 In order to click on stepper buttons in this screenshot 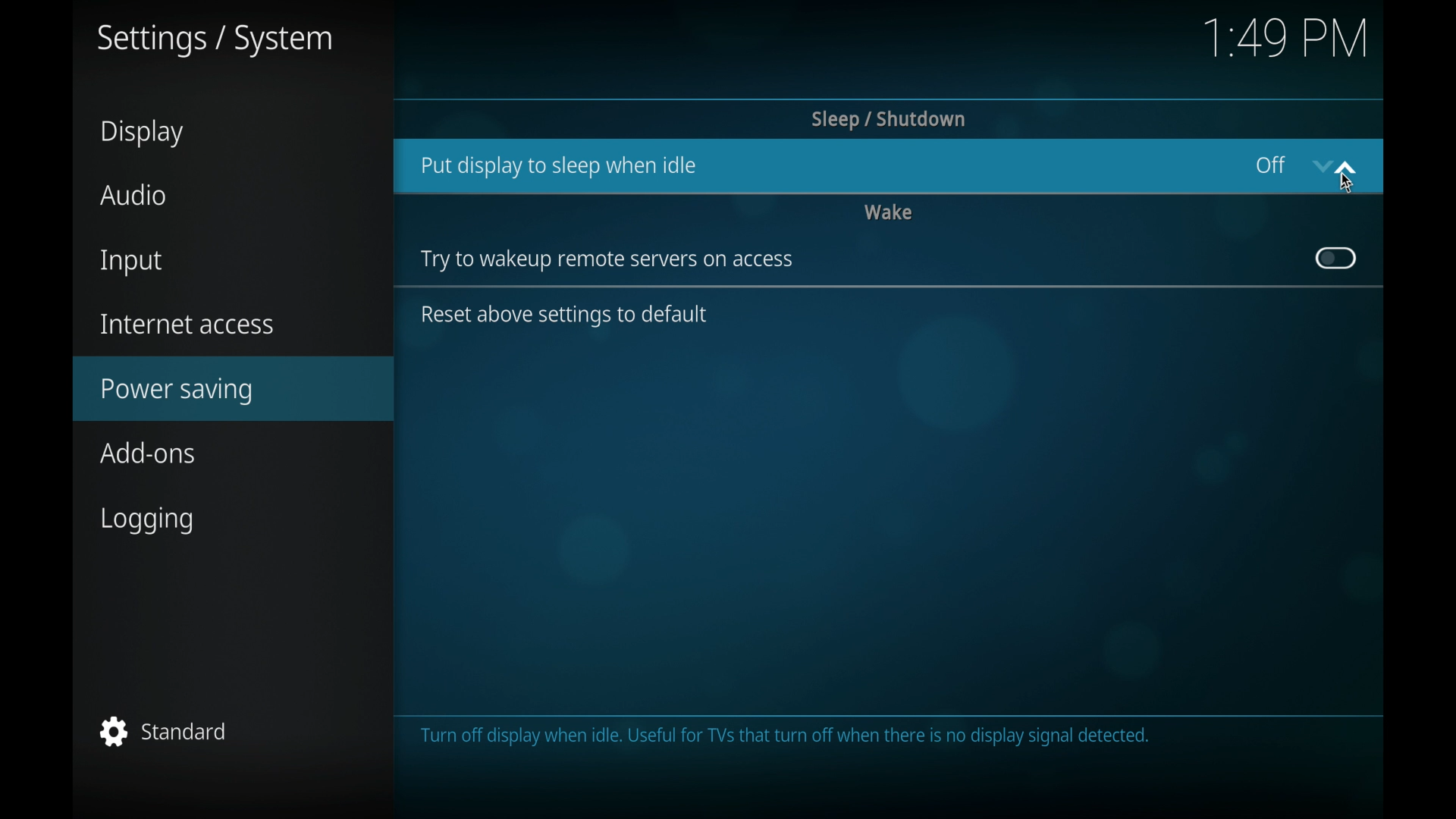, I will do `click(1333, 166)`.